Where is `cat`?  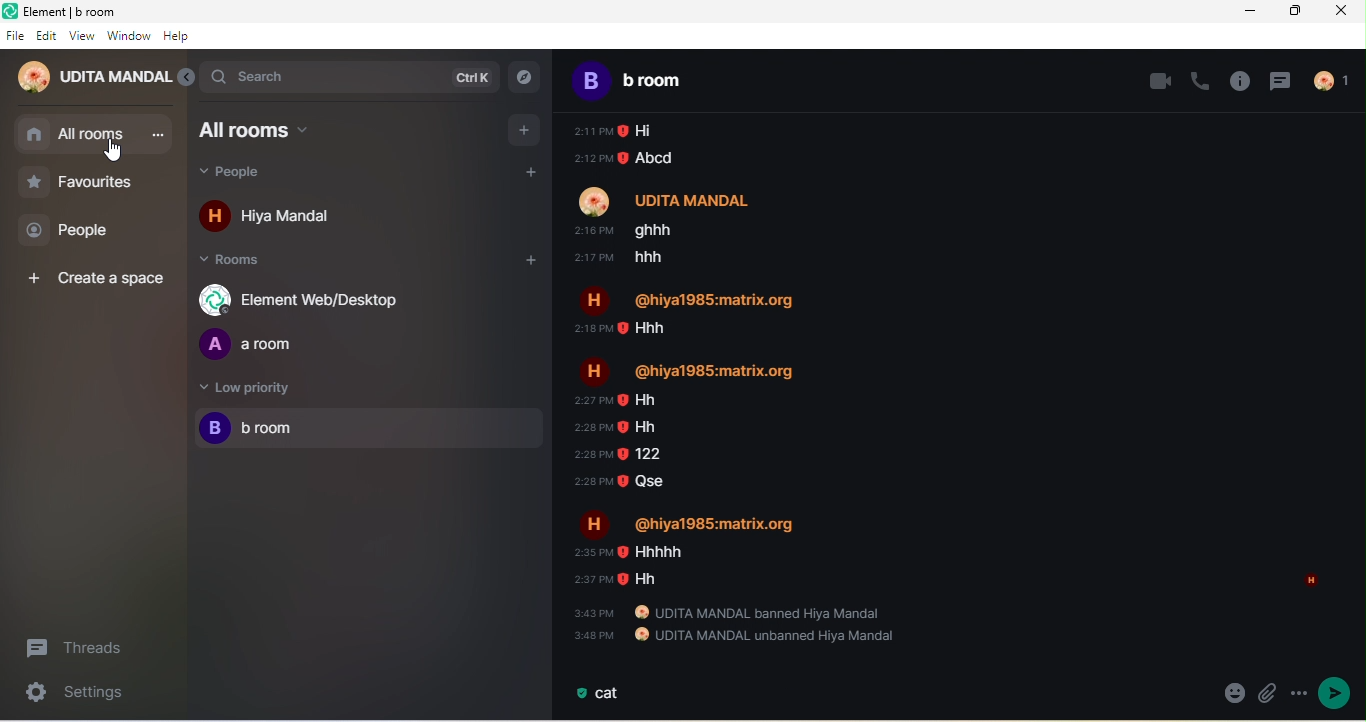 cat is located at coordinates (601, 695).